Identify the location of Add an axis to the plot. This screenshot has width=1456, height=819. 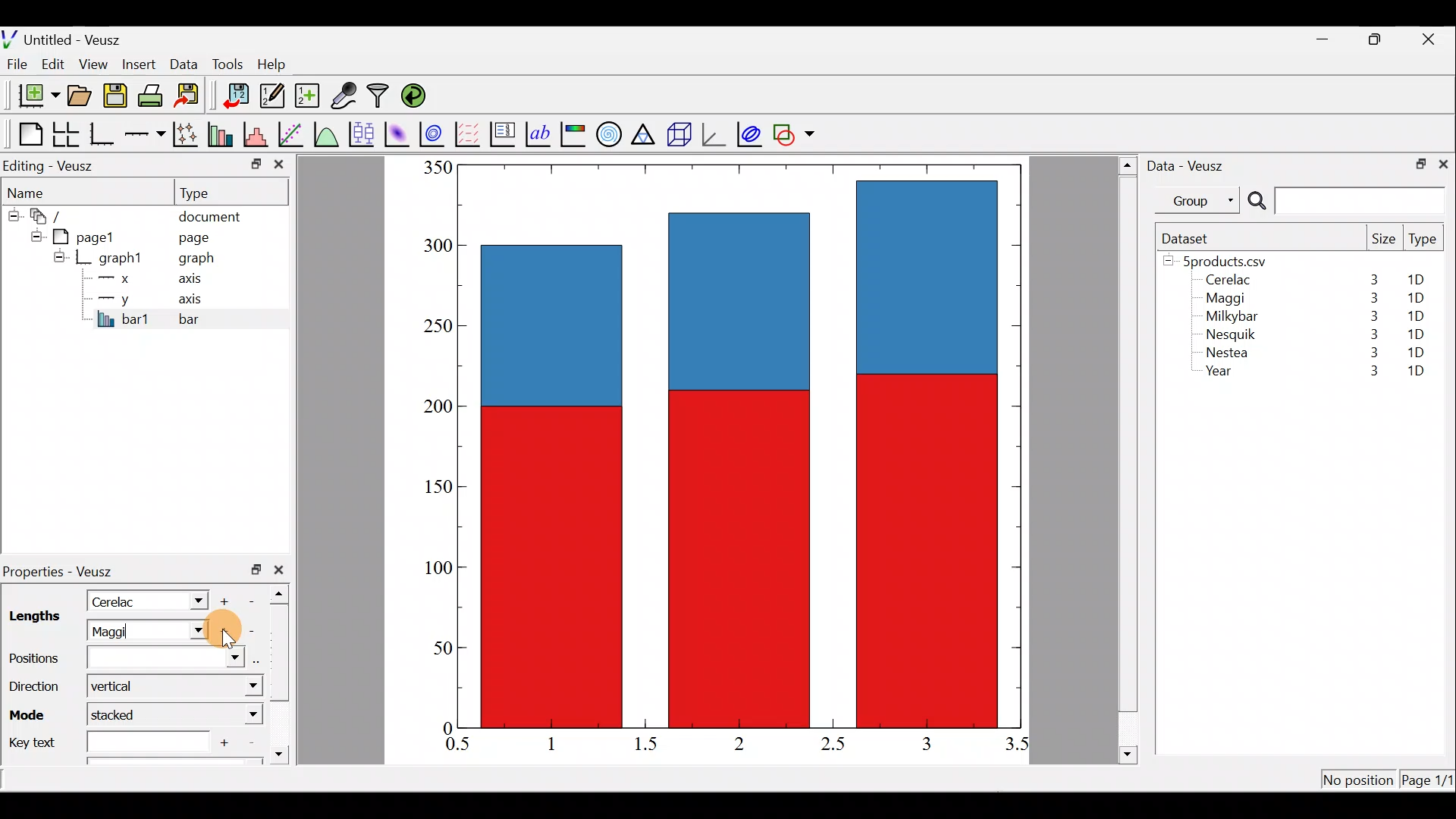
(148, 134).